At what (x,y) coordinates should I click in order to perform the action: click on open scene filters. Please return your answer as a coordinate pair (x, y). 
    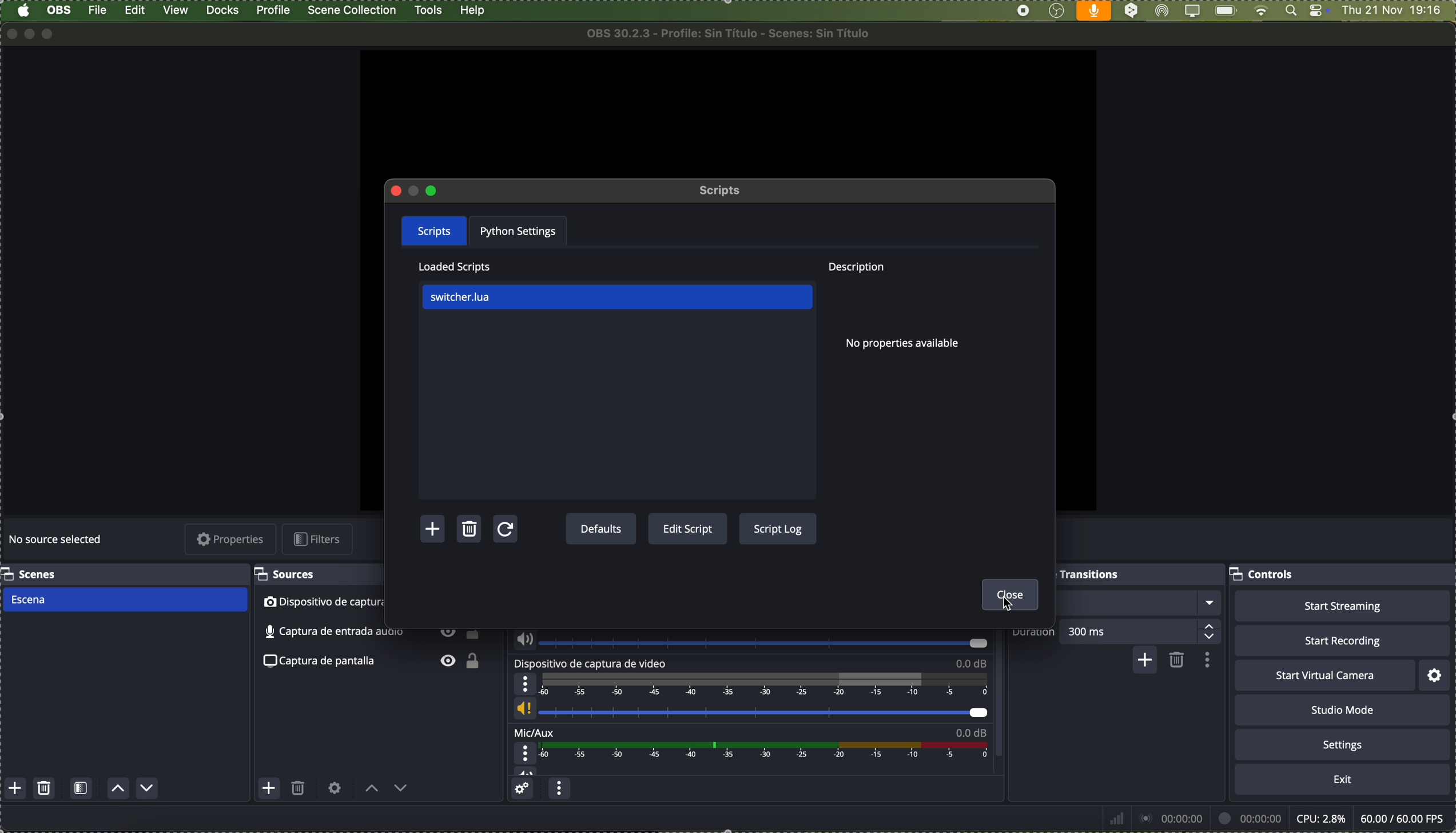
    Looking at the image, I should click on (81, 790).